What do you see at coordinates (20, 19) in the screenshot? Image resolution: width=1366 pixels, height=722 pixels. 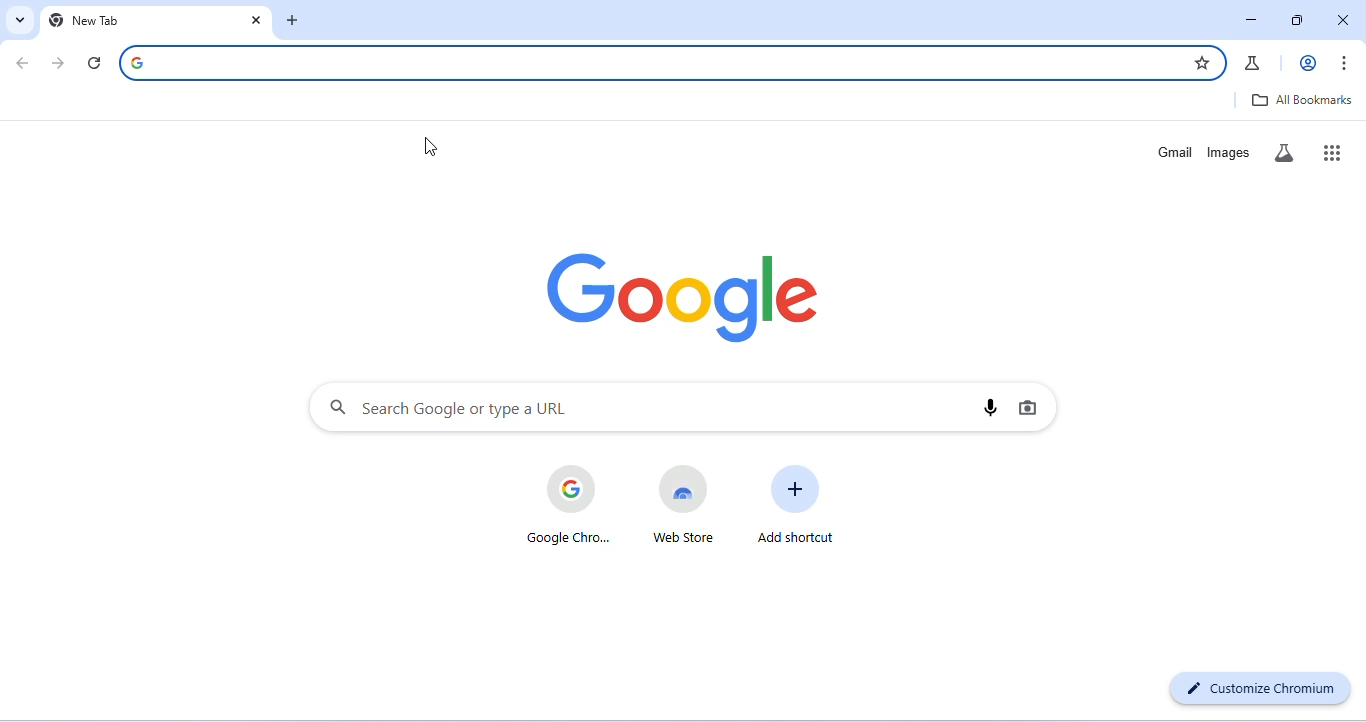 I see `search tabs` at bounding box center [20, 19].